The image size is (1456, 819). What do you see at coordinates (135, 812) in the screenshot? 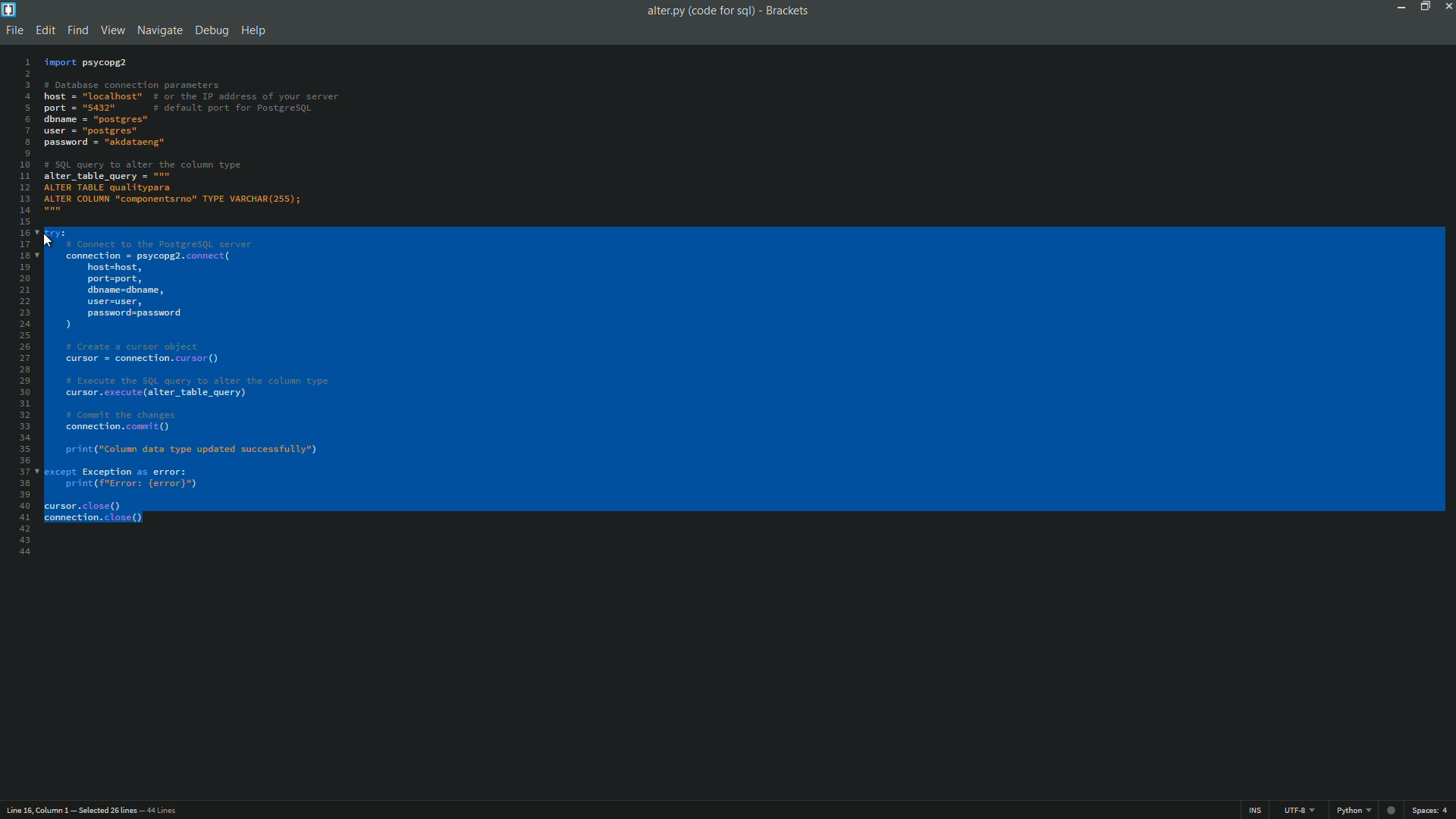
I see `number of lines` at bounding box center [135, 812].